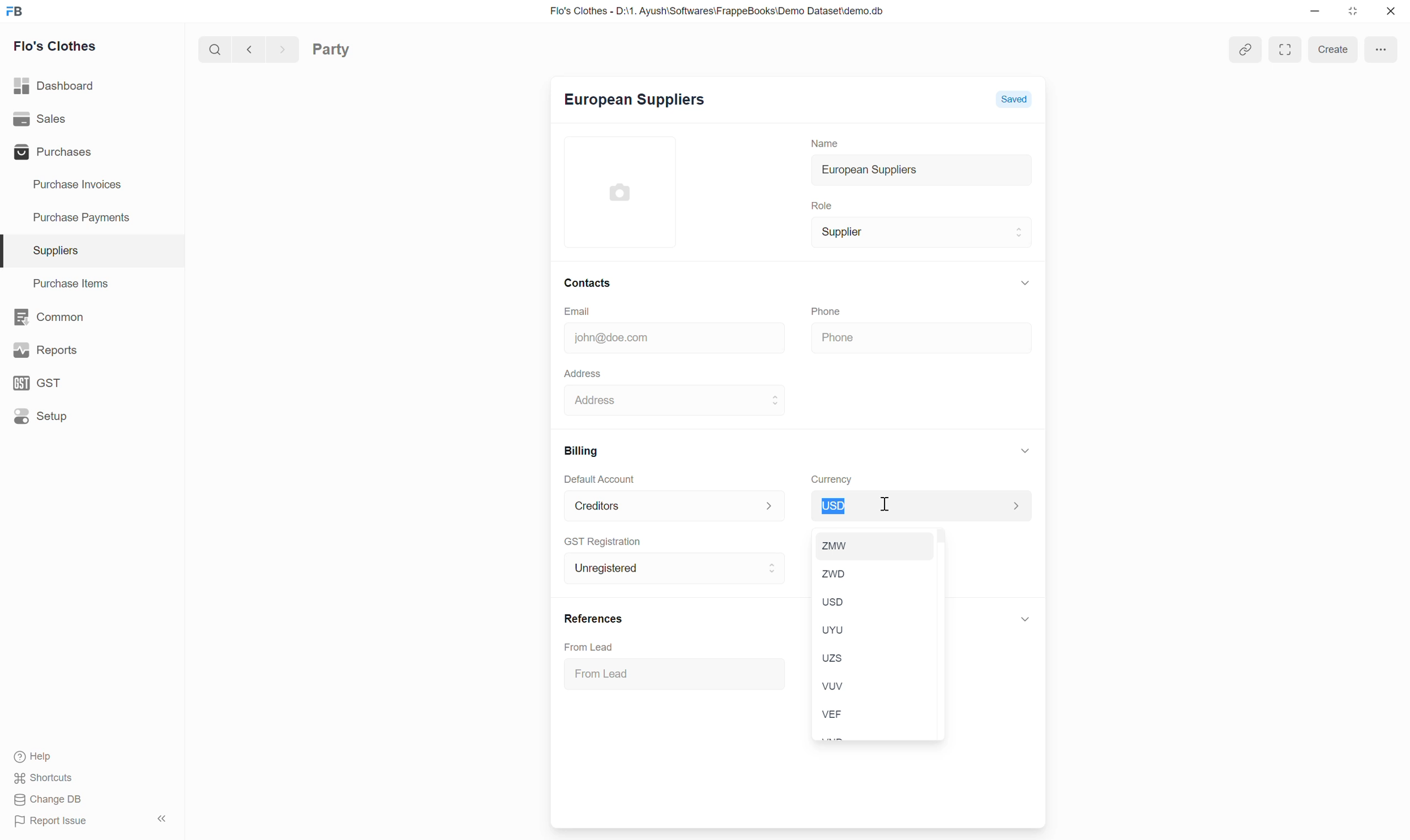  I want to click on Dashboard, so click(55, 82).